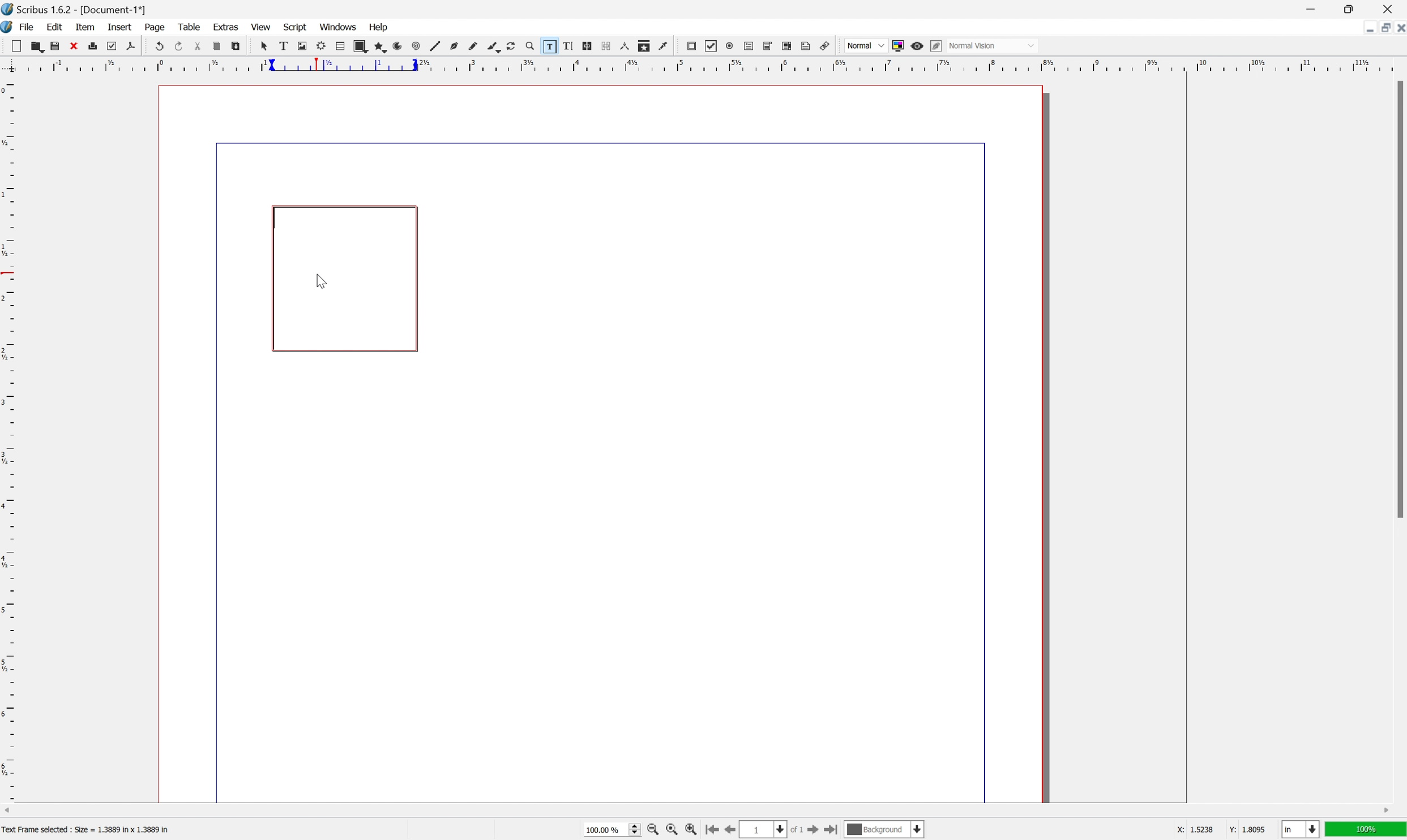 This screenshot has height=840, width=1407. Describe the element at coordinates (474, 46) in the screenshot. I see `freehand line` at that location.